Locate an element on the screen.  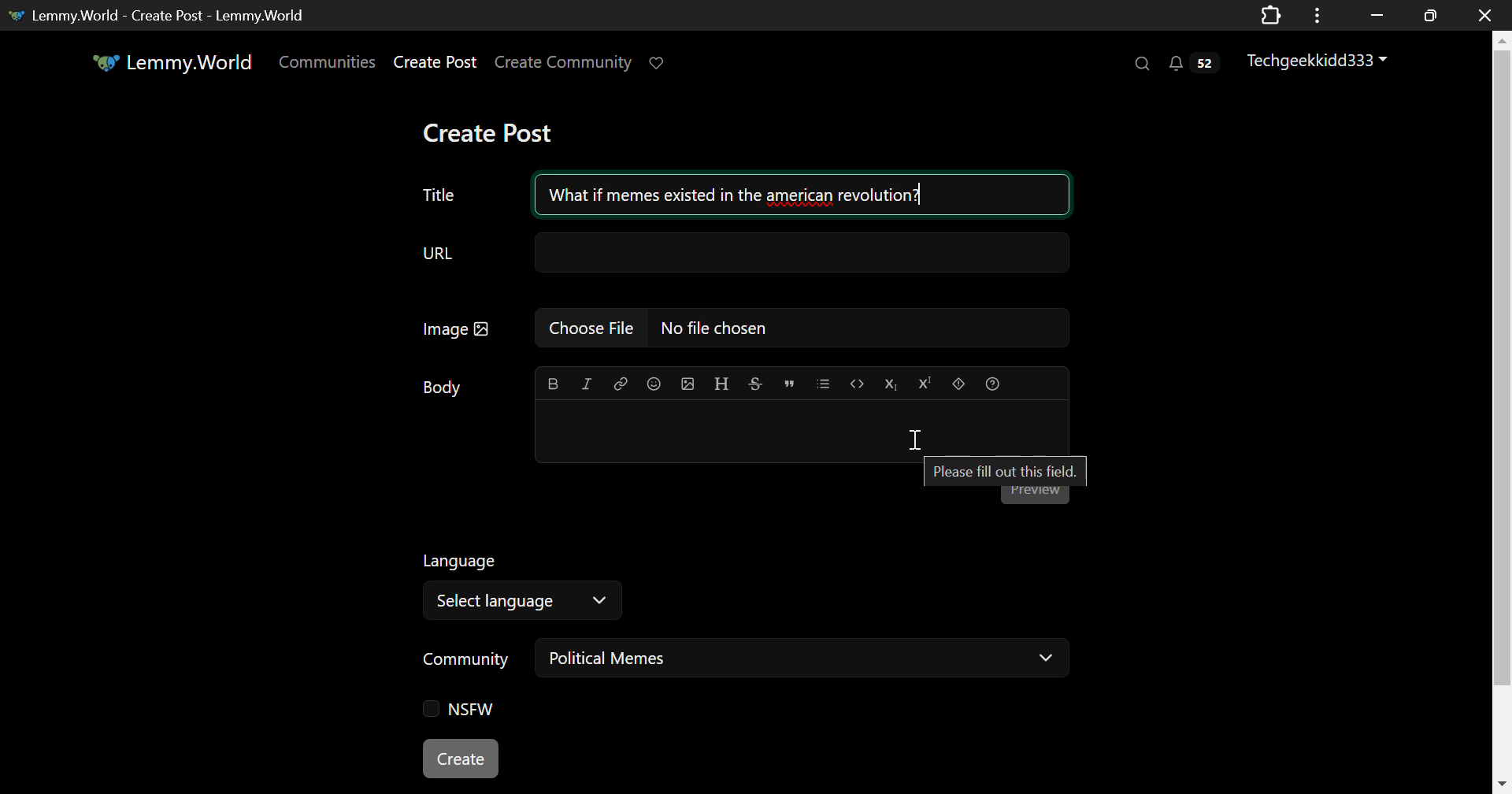
Techgeekkidd333 is located at coordinates (1317, 61).